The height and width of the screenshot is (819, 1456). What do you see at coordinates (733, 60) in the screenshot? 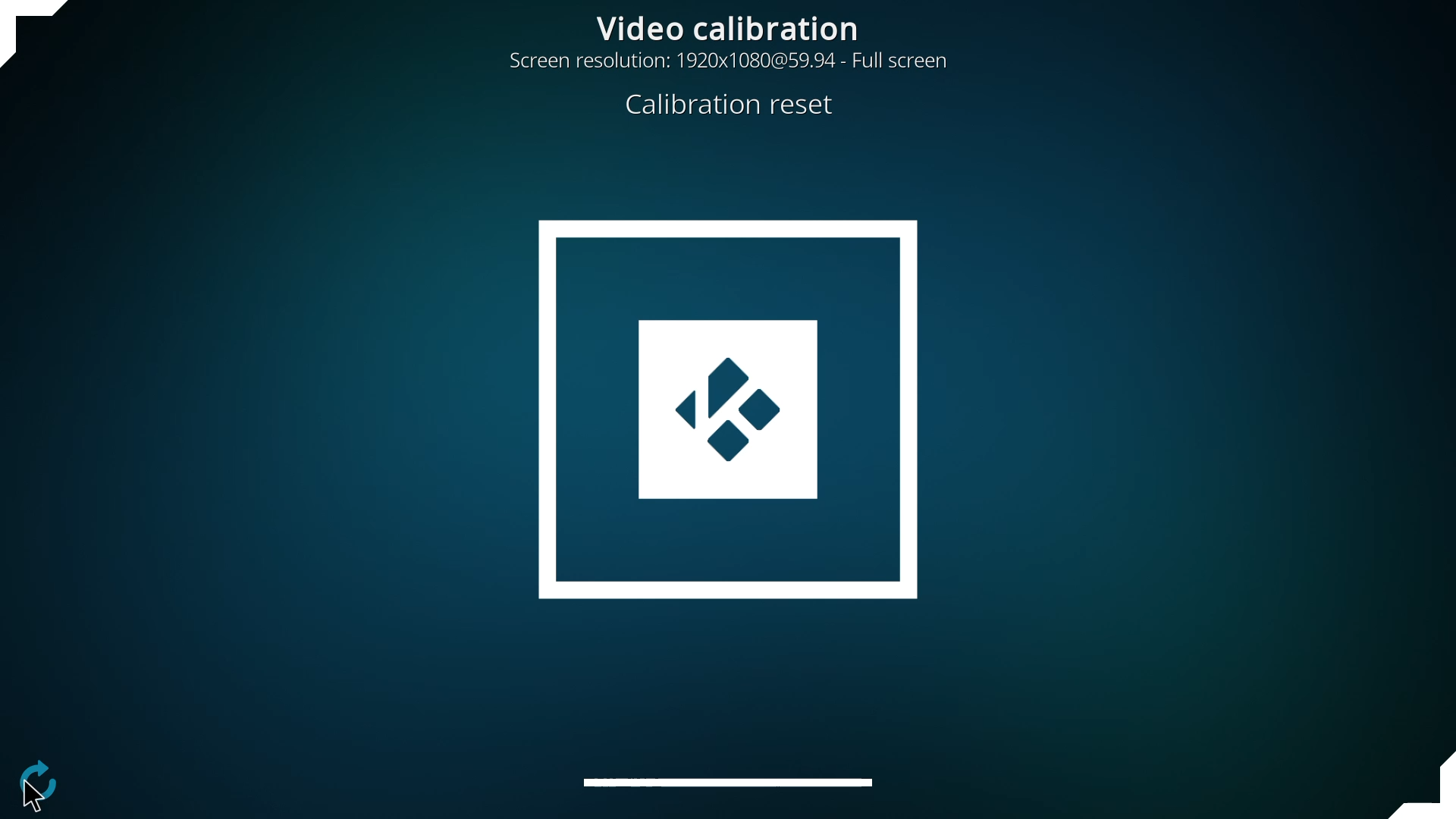
I see `resolution` at bounding box center [733, 60].